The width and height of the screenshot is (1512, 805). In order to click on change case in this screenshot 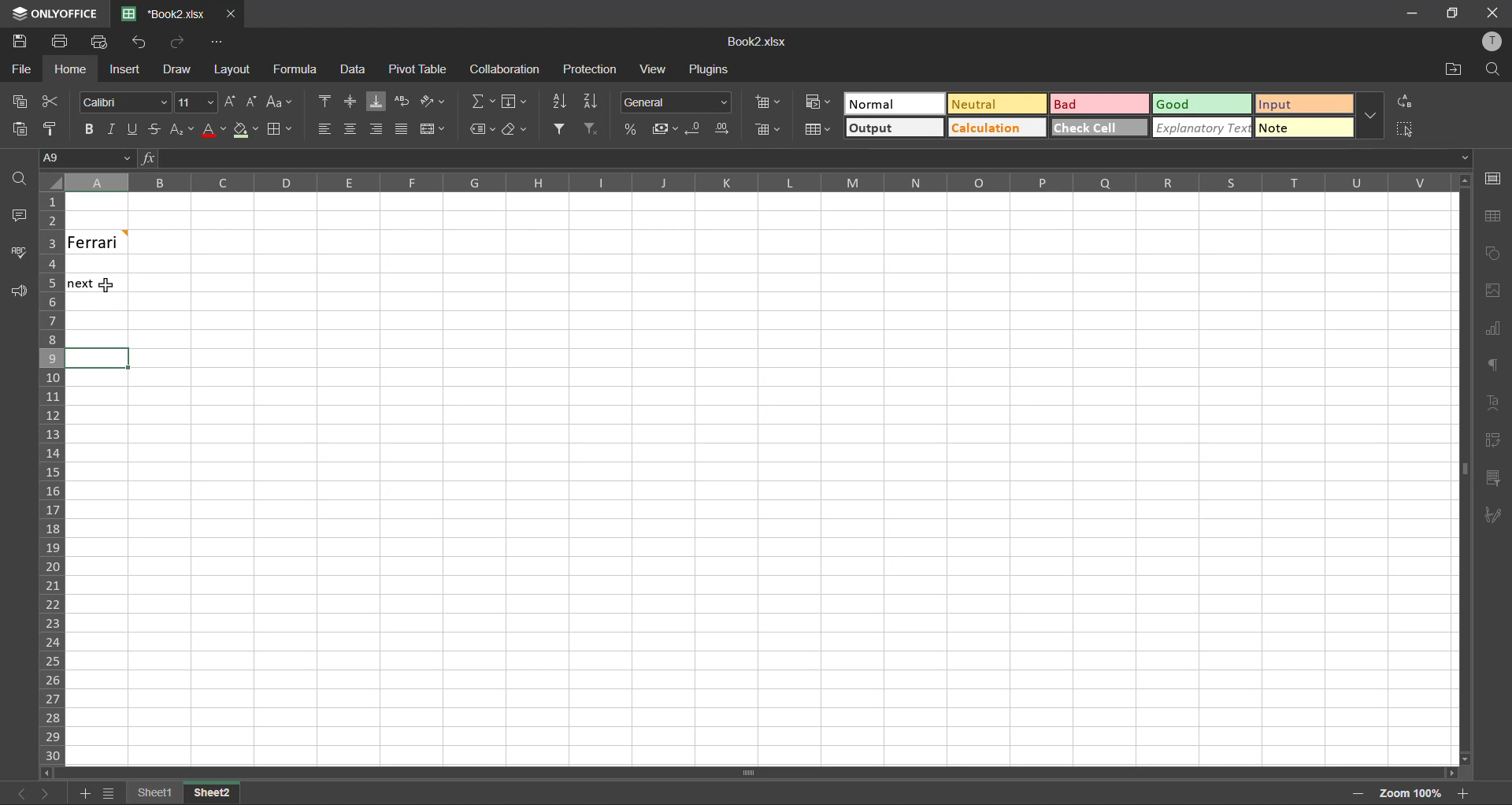, I will do `click(280, 102)`.